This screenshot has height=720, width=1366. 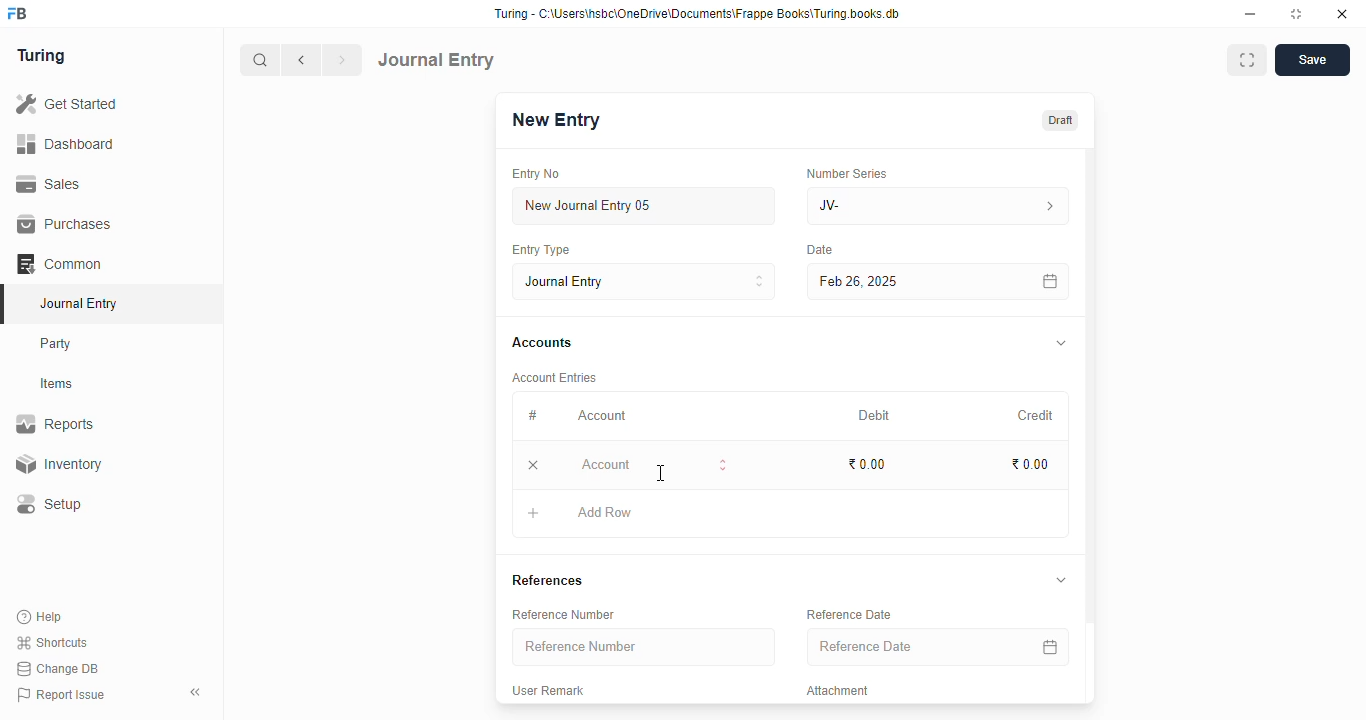 What do you see at coordinates (547, 580) in the screenshot?
I see `references` at bounding box center [547, 580].